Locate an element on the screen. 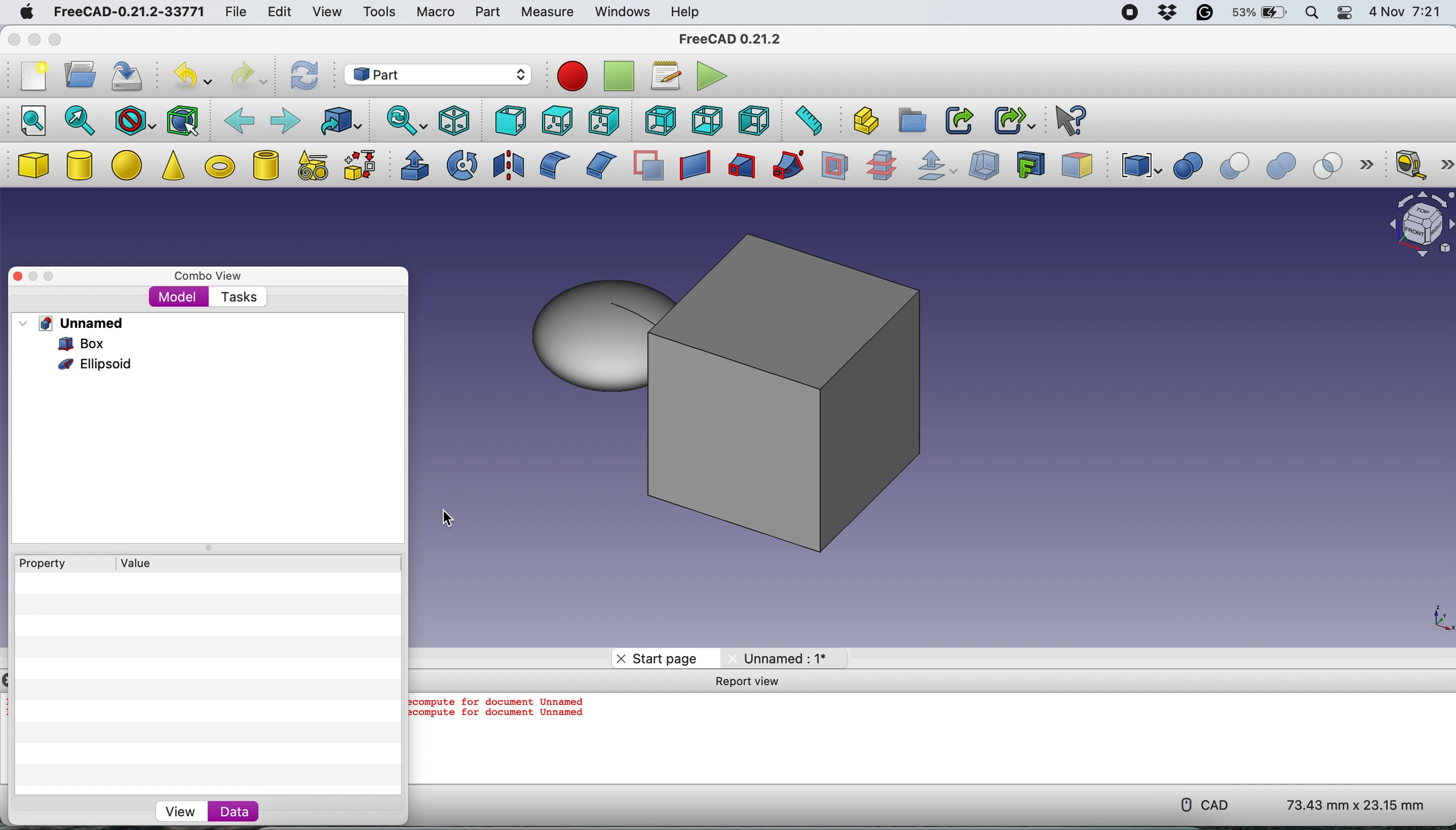 Image resolution: width=1456 pixels, height=830 pixels. model is located at coordinates (178, 296).